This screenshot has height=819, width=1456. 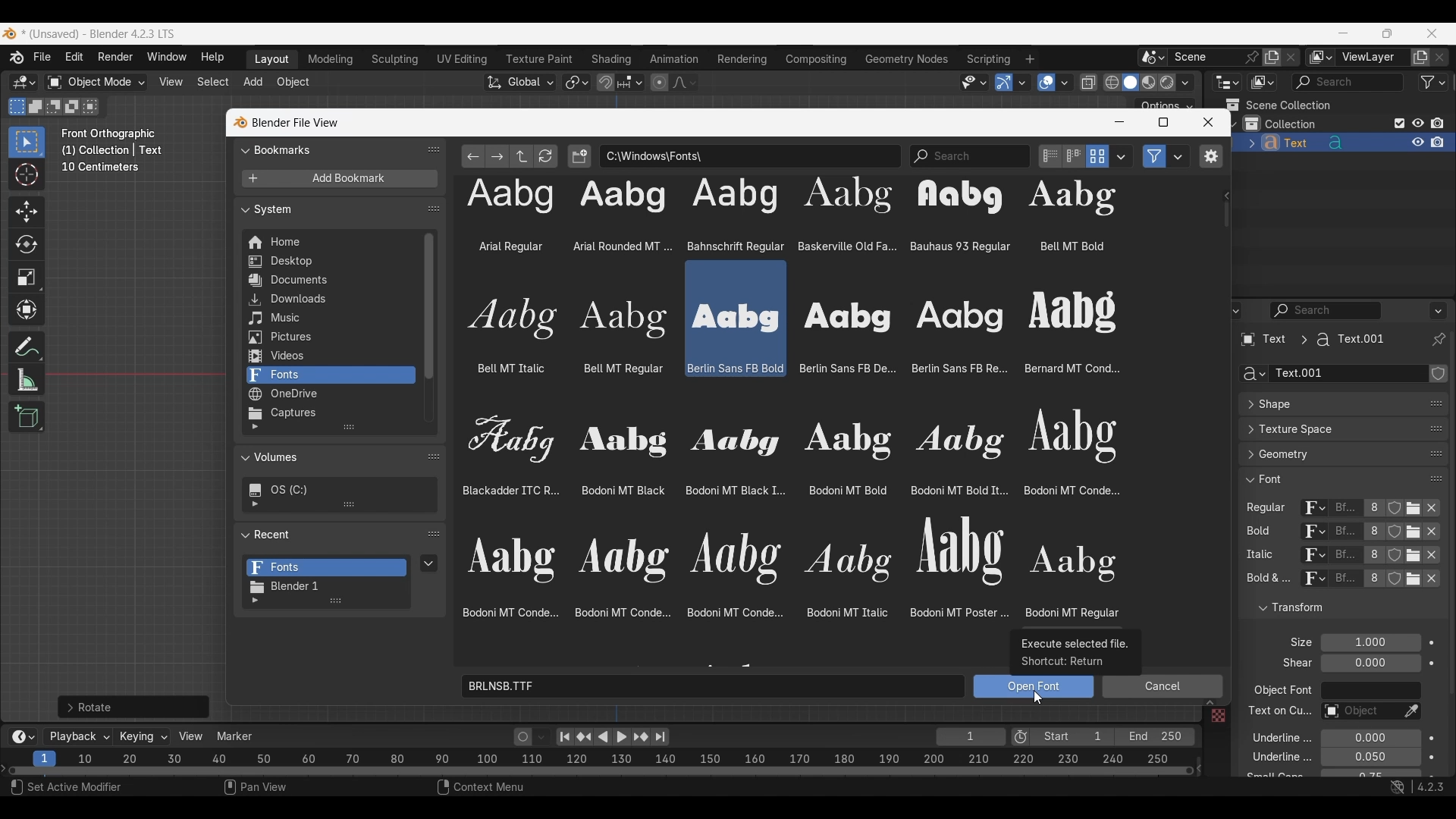 What do you see at coordinates (1406, 555) in the screenshot?
I see `nlink respective attribute` at bounding box center [1406, 555].